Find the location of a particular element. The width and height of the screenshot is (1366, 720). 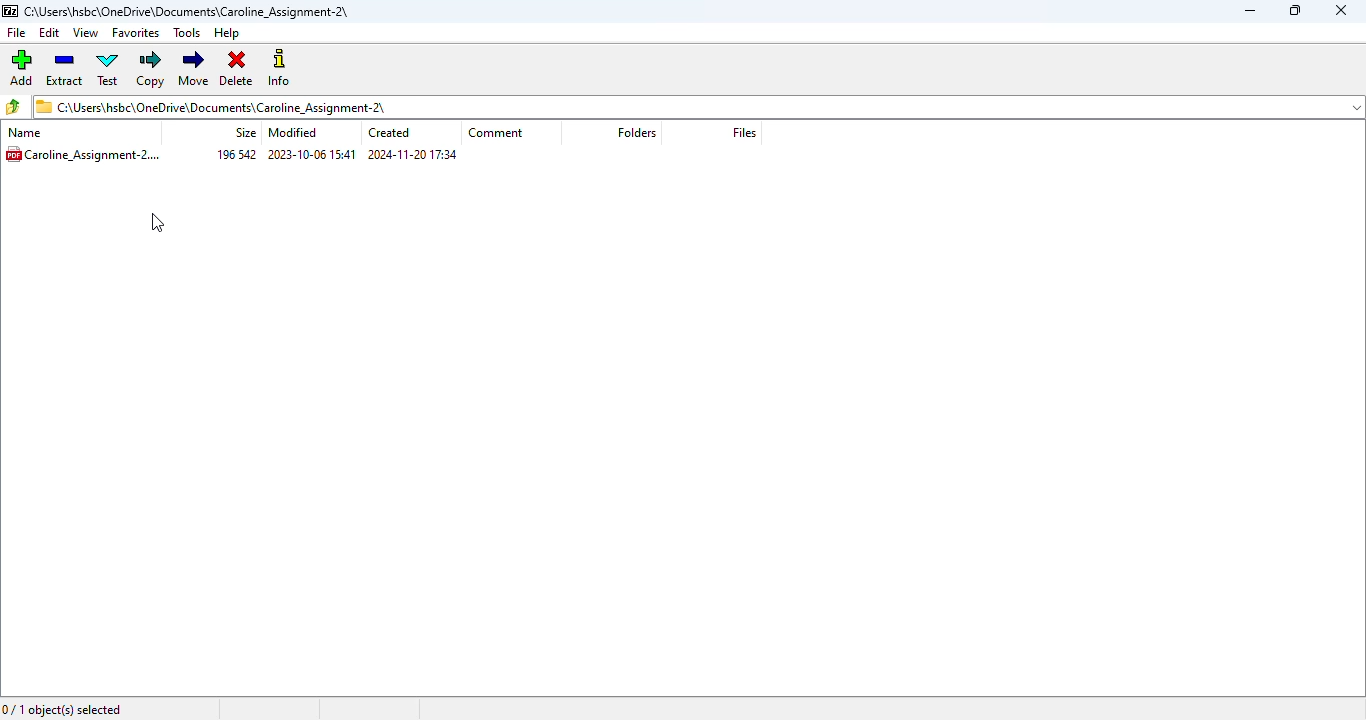

Created is located at coordinates (394, 134).